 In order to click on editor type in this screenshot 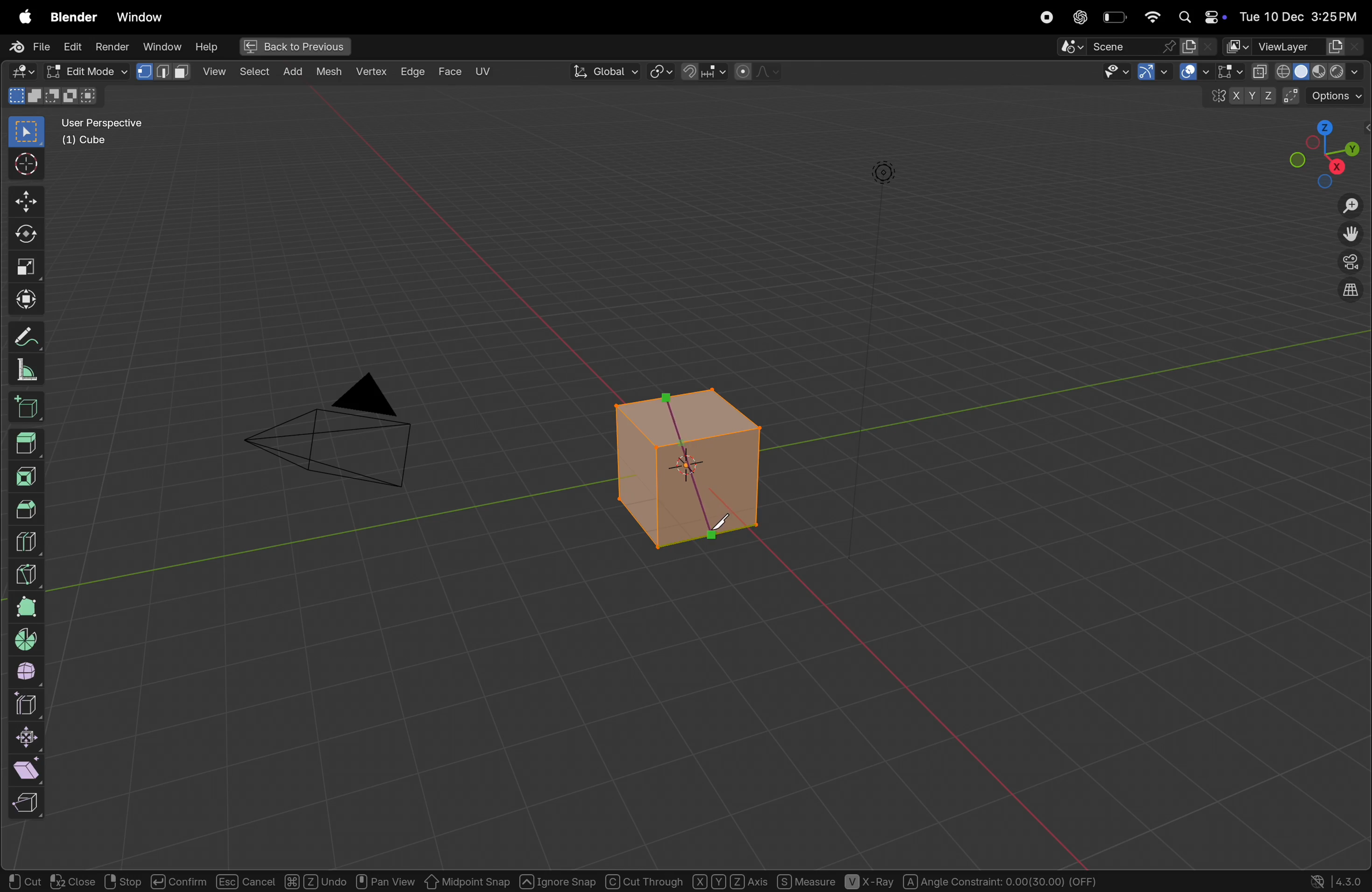, I will do `click(19, 72)`.